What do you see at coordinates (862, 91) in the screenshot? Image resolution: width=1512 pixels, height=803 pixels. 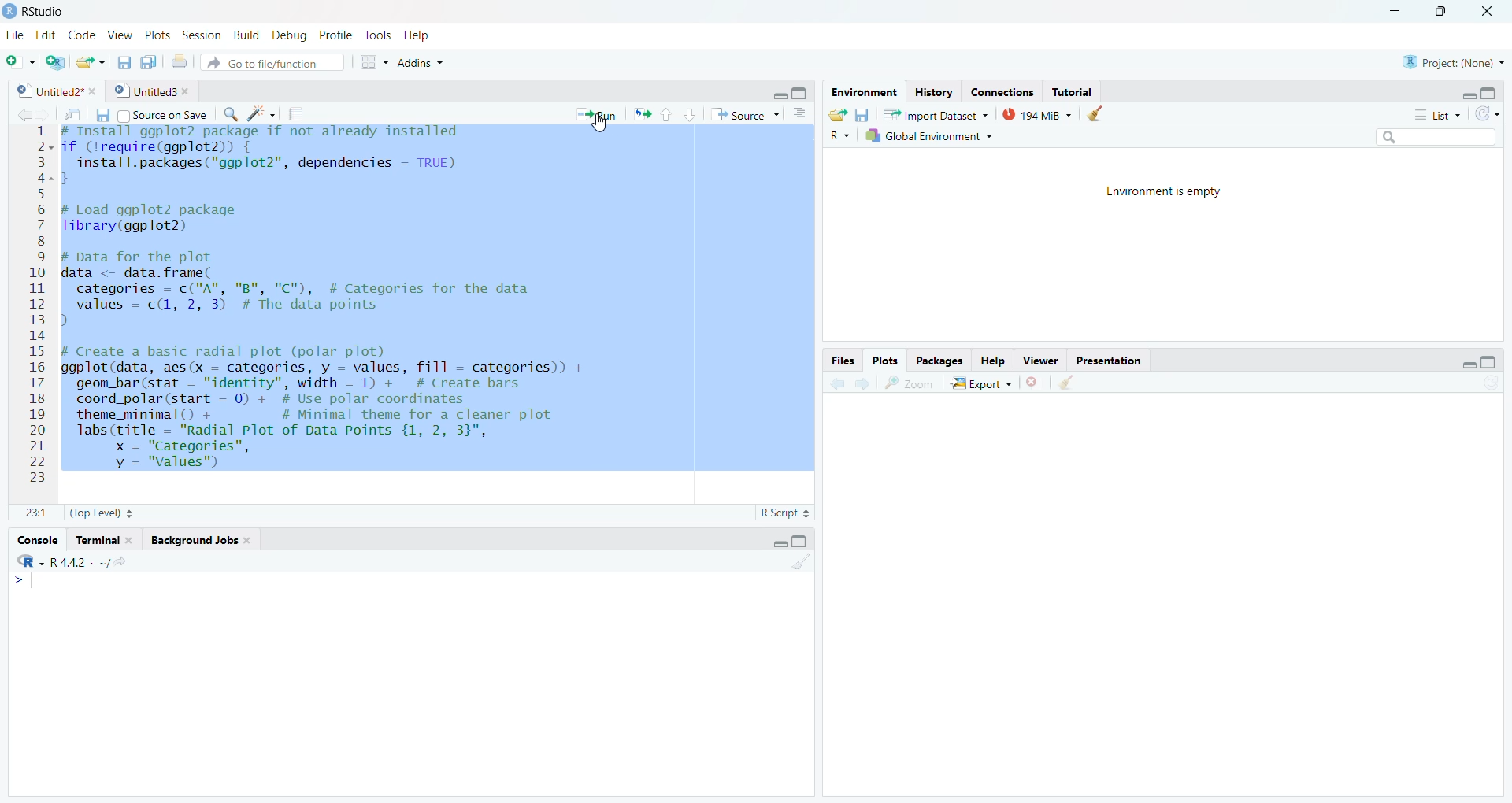 I see `Environment` at bounding box center [862, 91].